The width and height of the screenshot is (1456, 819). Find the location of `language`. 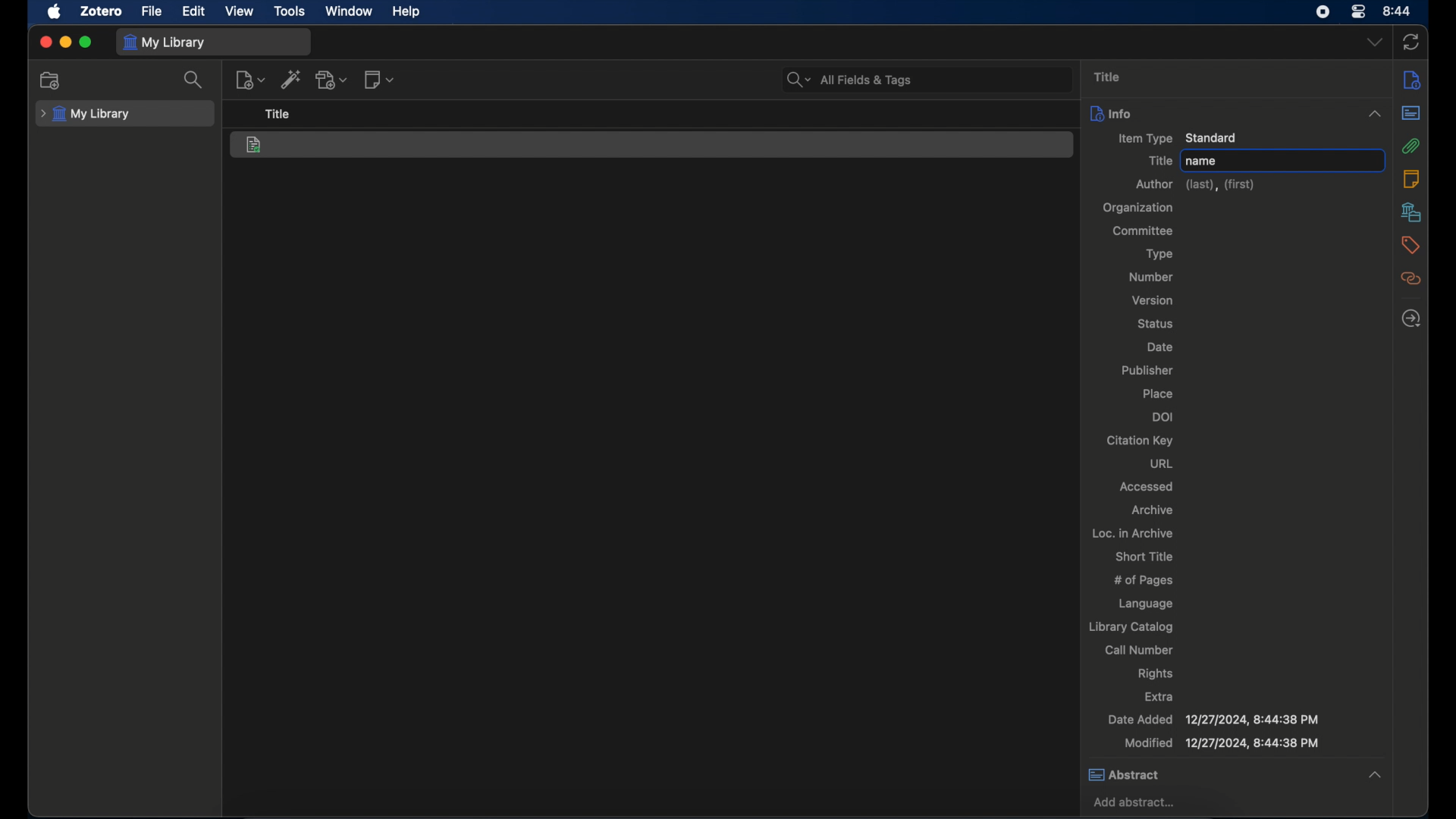

language is located at coordinates (1144, 604).